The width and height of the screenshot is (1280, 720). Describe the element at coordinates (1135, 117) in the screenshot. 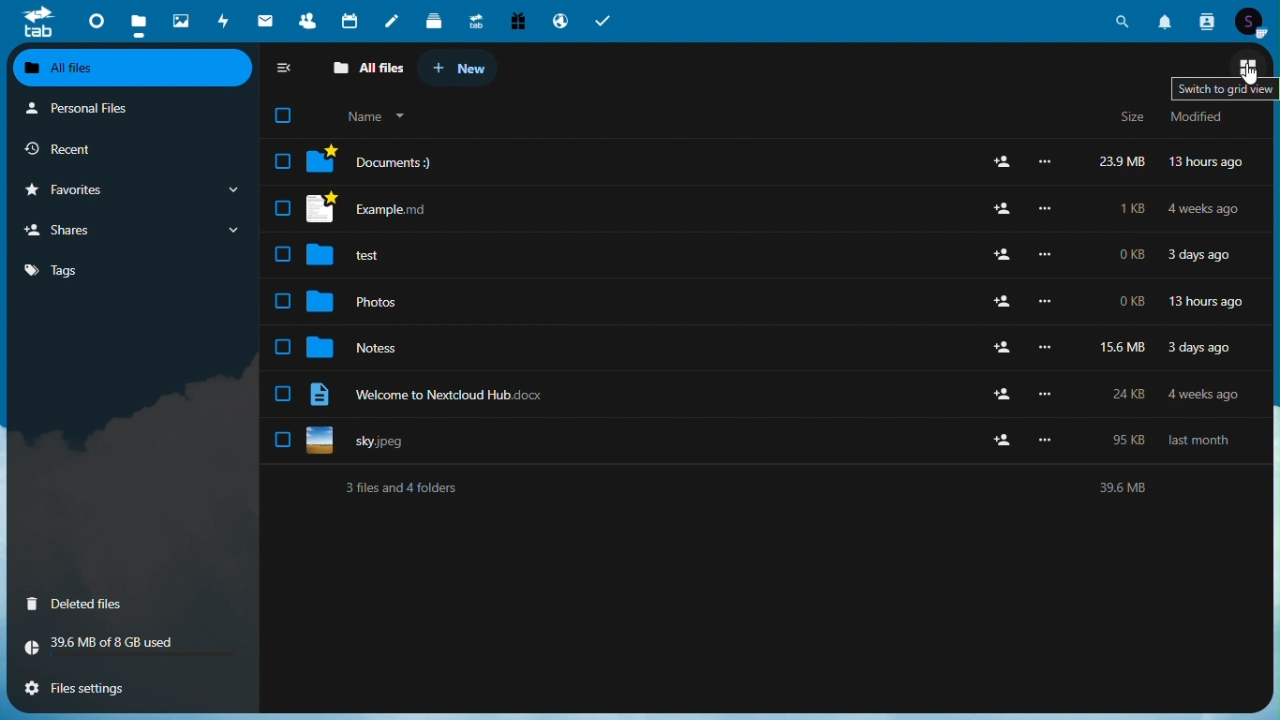

I see `size` at that location.